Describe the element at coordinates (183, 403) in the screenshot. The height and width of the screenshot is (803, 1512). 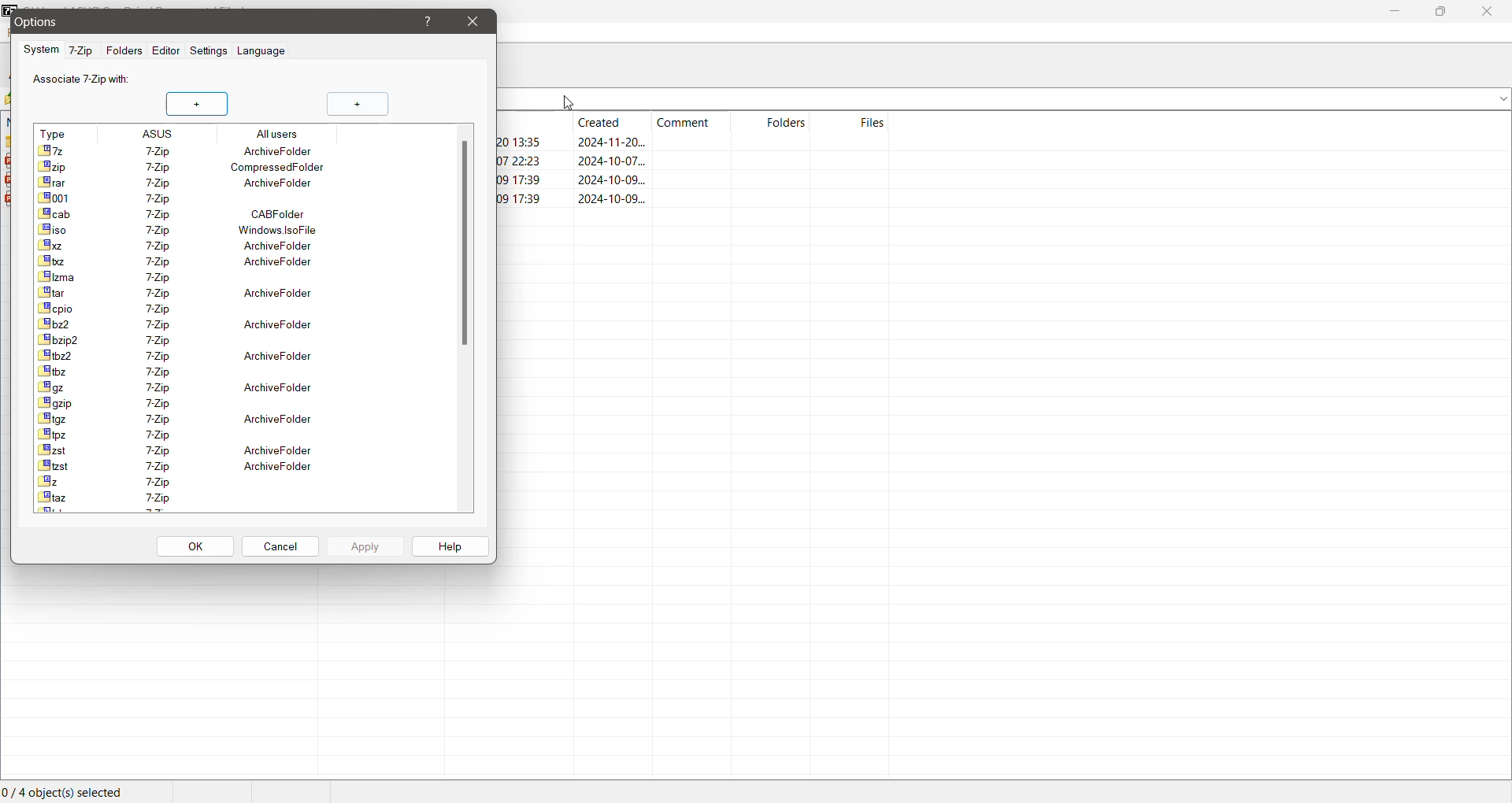
I see `Available system details` at that location.